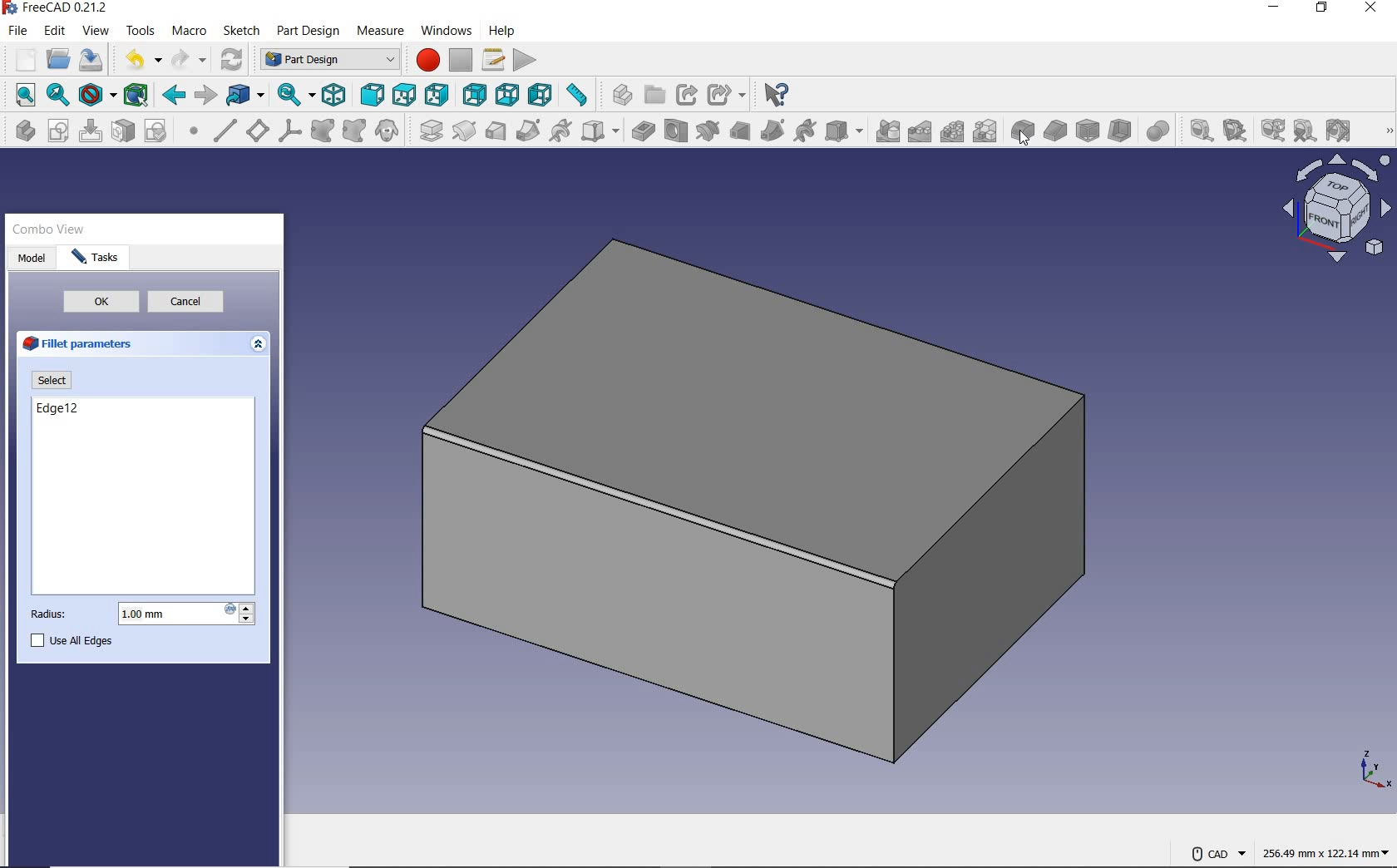  I want to click on cursor, so click(1023, 139).